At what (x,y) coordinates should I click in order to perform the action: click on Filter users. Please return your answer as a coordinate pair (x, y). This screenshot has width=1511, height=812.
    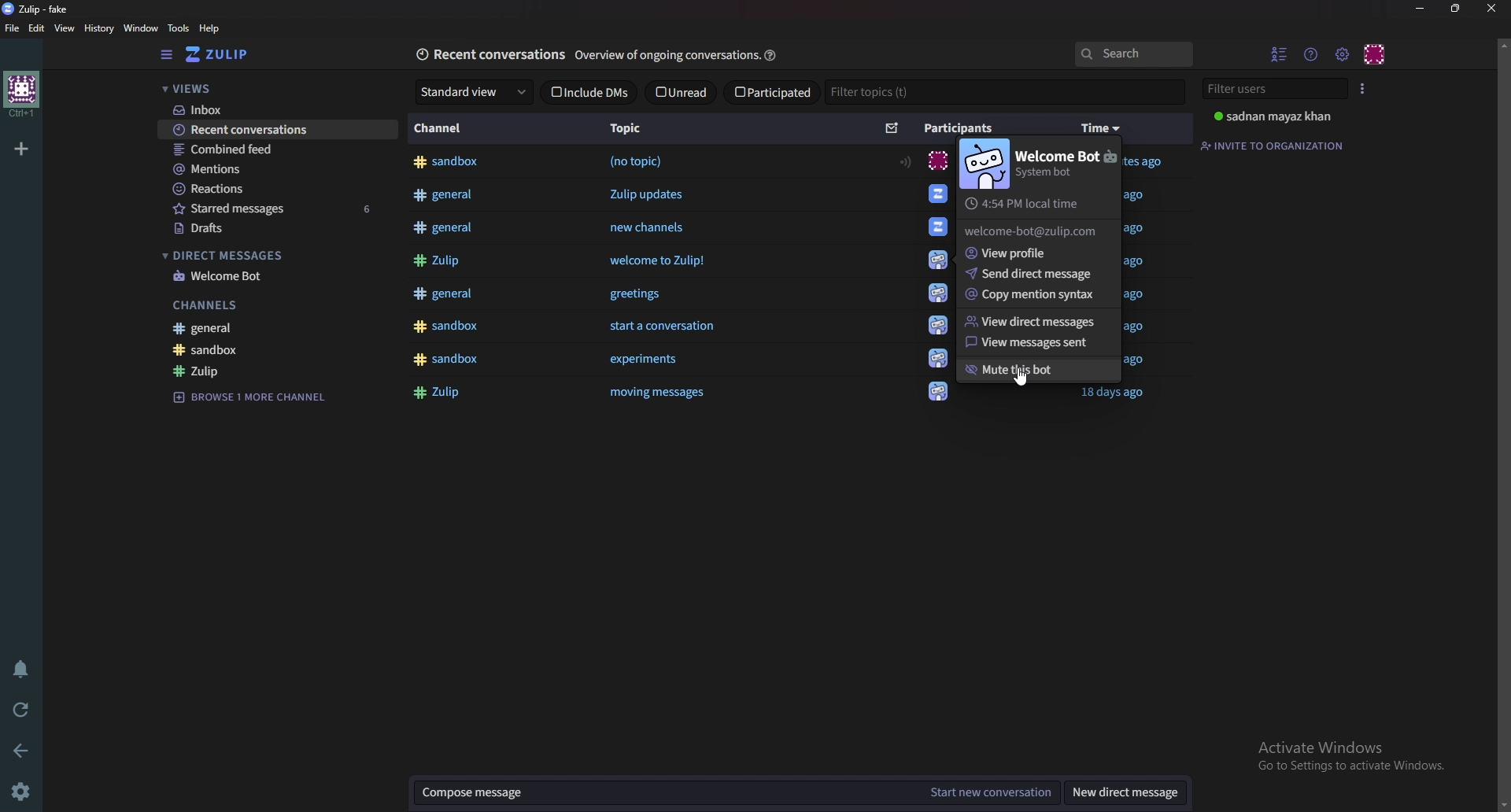
    Looking at the image, I should click on (1276, 87).